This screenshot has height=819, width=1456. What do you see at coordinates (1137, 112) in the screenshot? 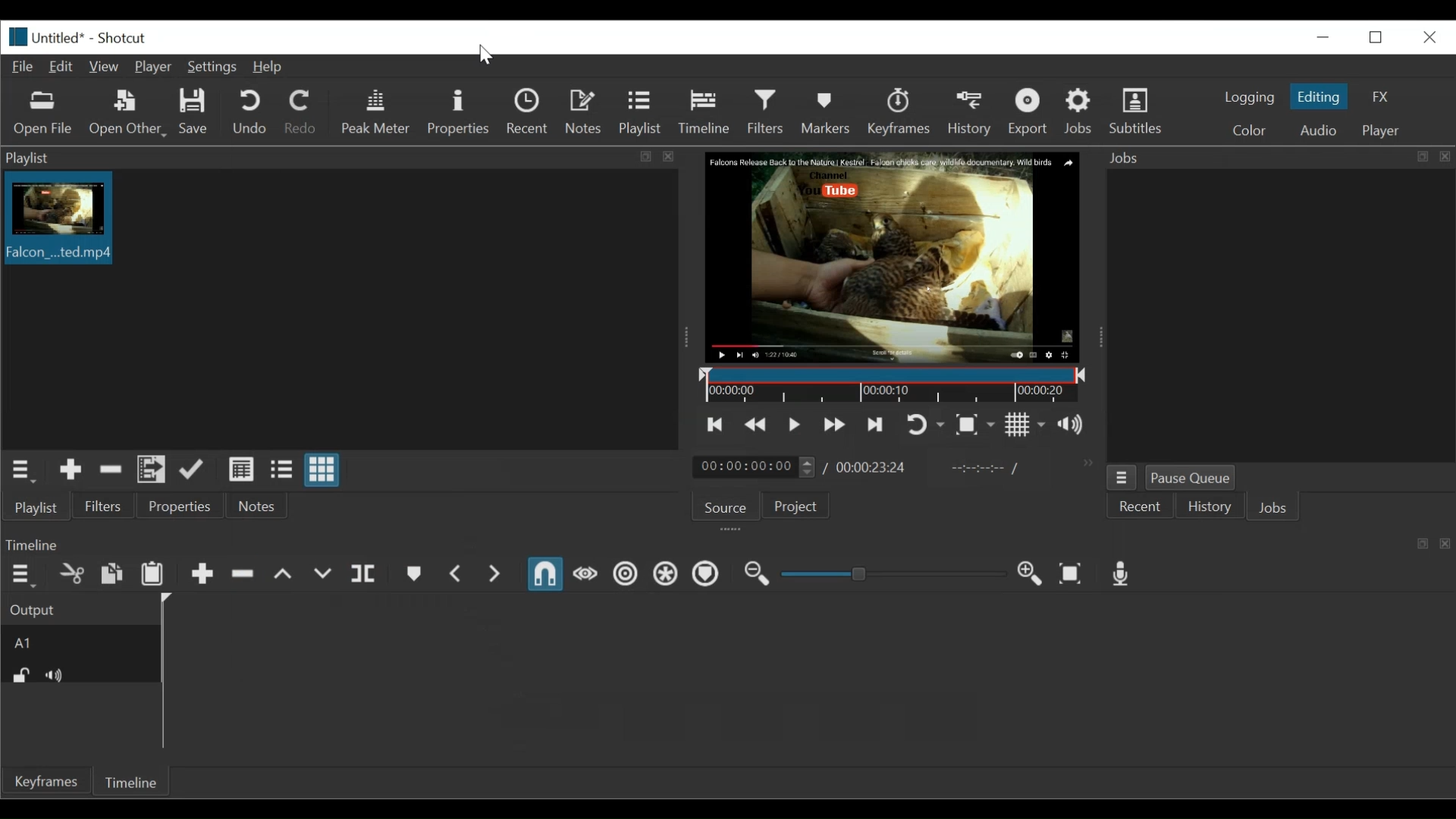
I see `Subtitles` at bounding box center [1137, 112].